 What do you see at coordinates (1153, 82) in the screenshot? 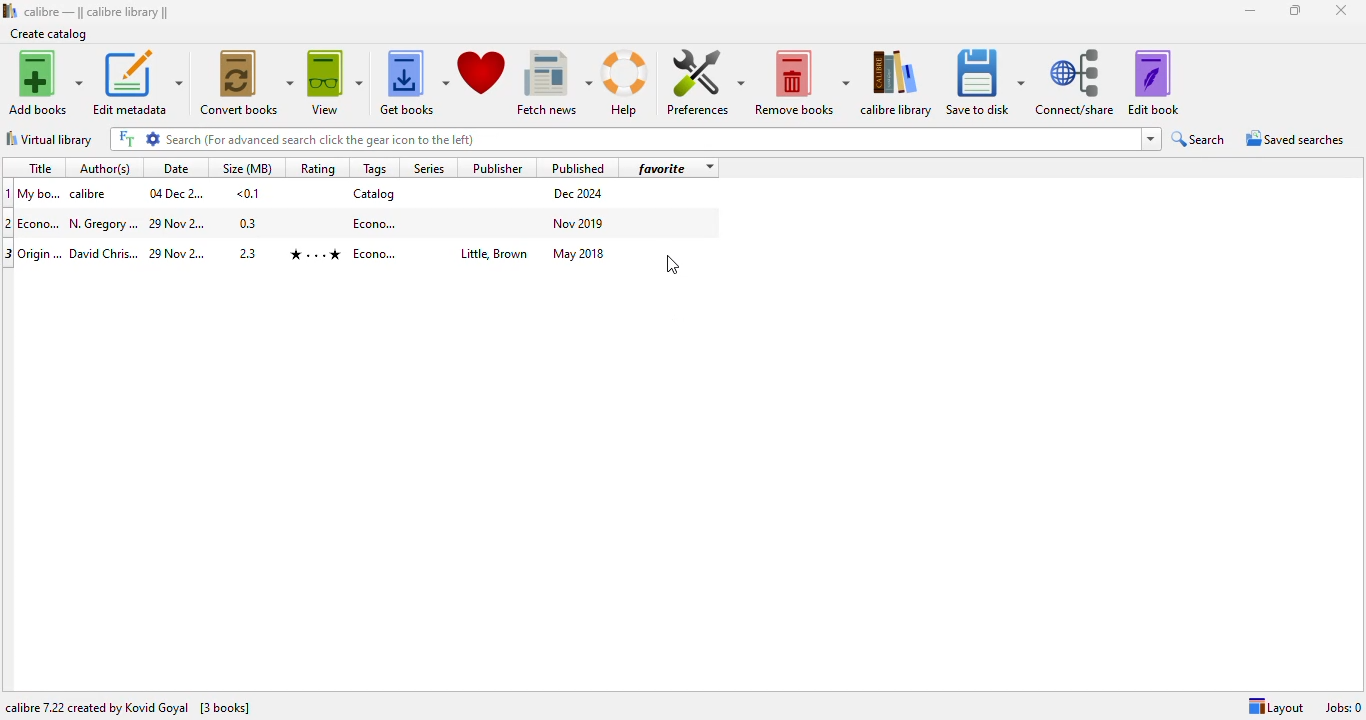
I see `edit book` at bounding box center [1153, 82].